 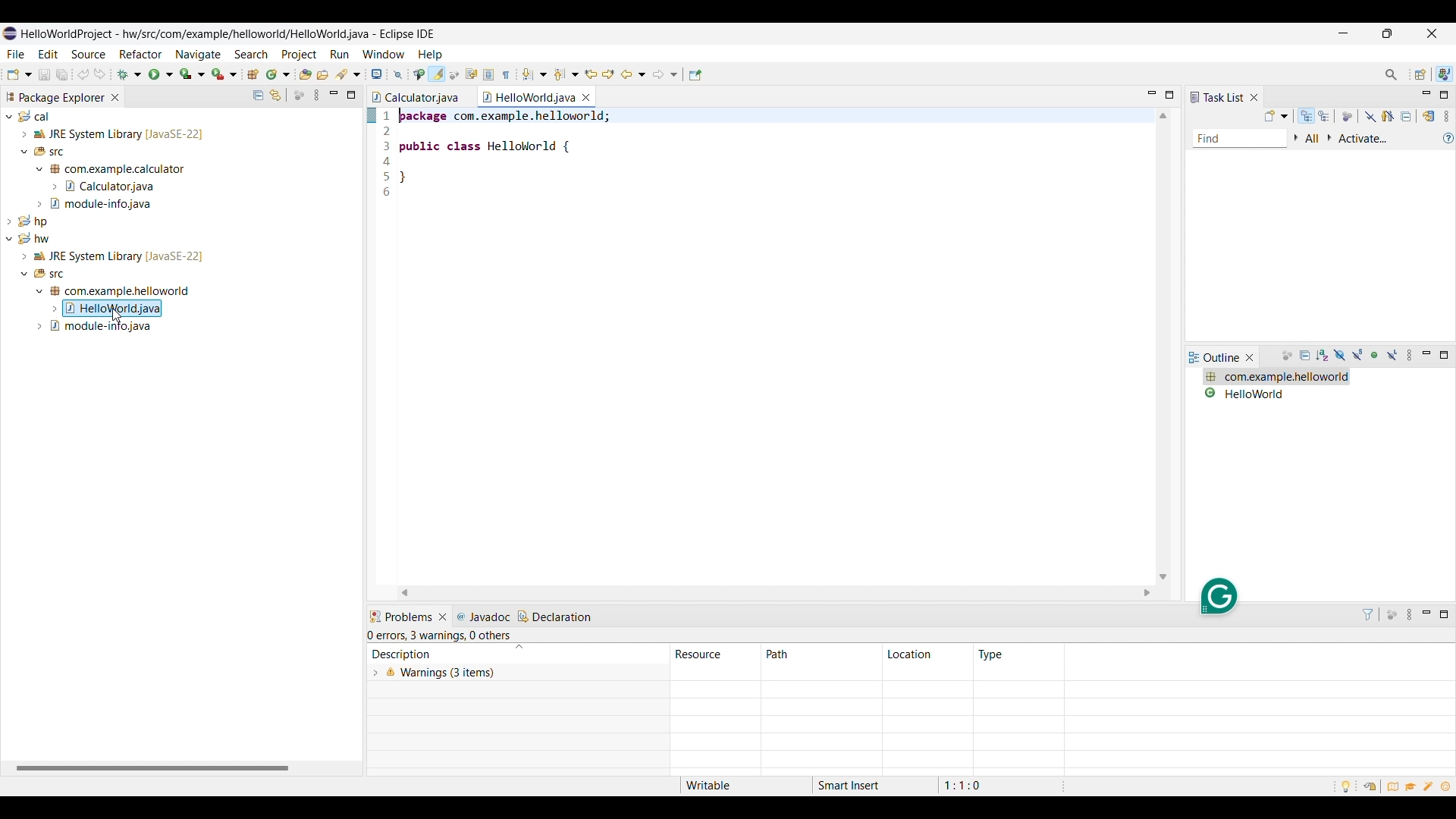 I want to click on Close tab, so click(x=115, y=97).